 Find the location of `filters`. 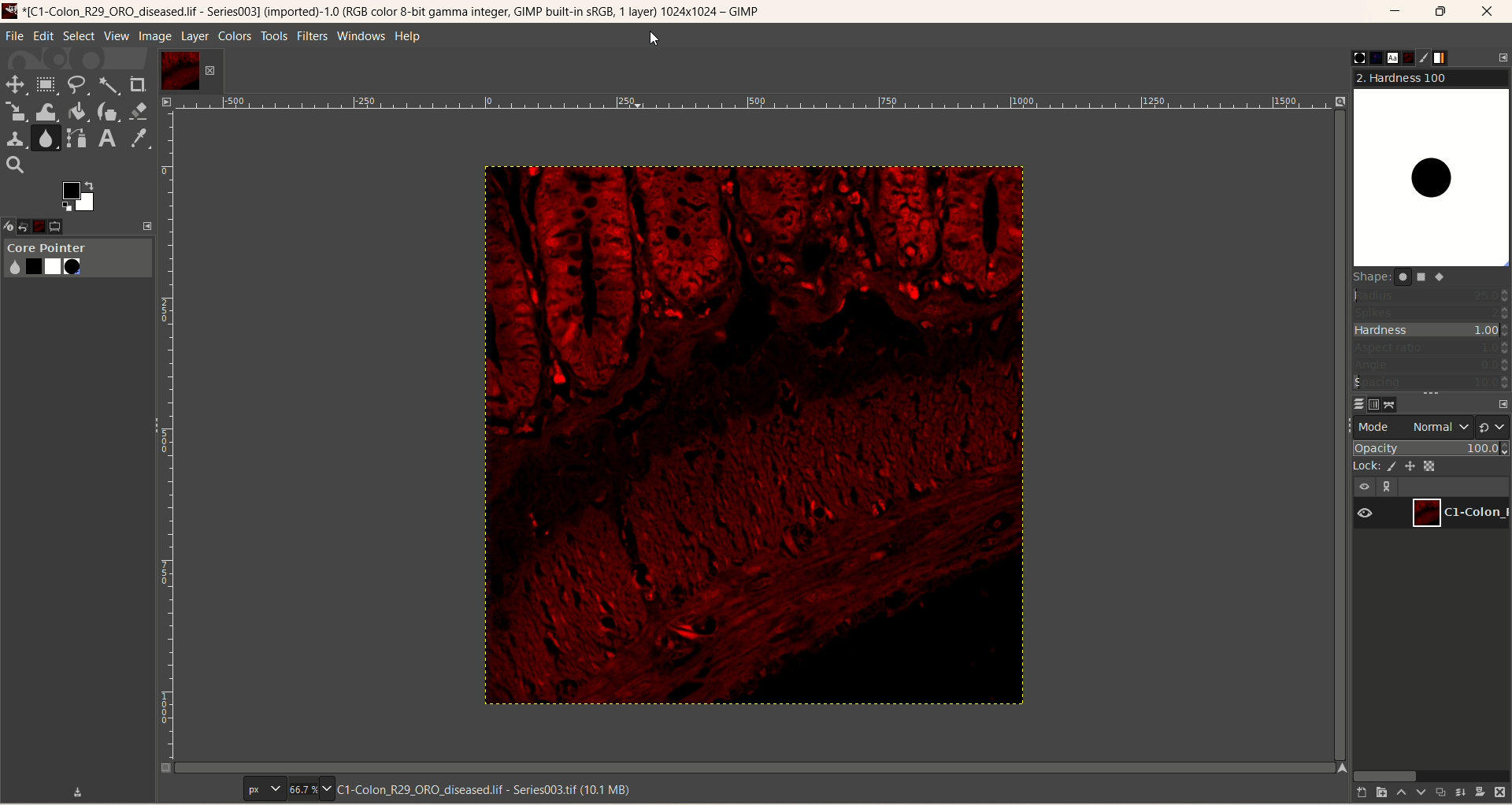

filters is located at coordinates (310, 35).